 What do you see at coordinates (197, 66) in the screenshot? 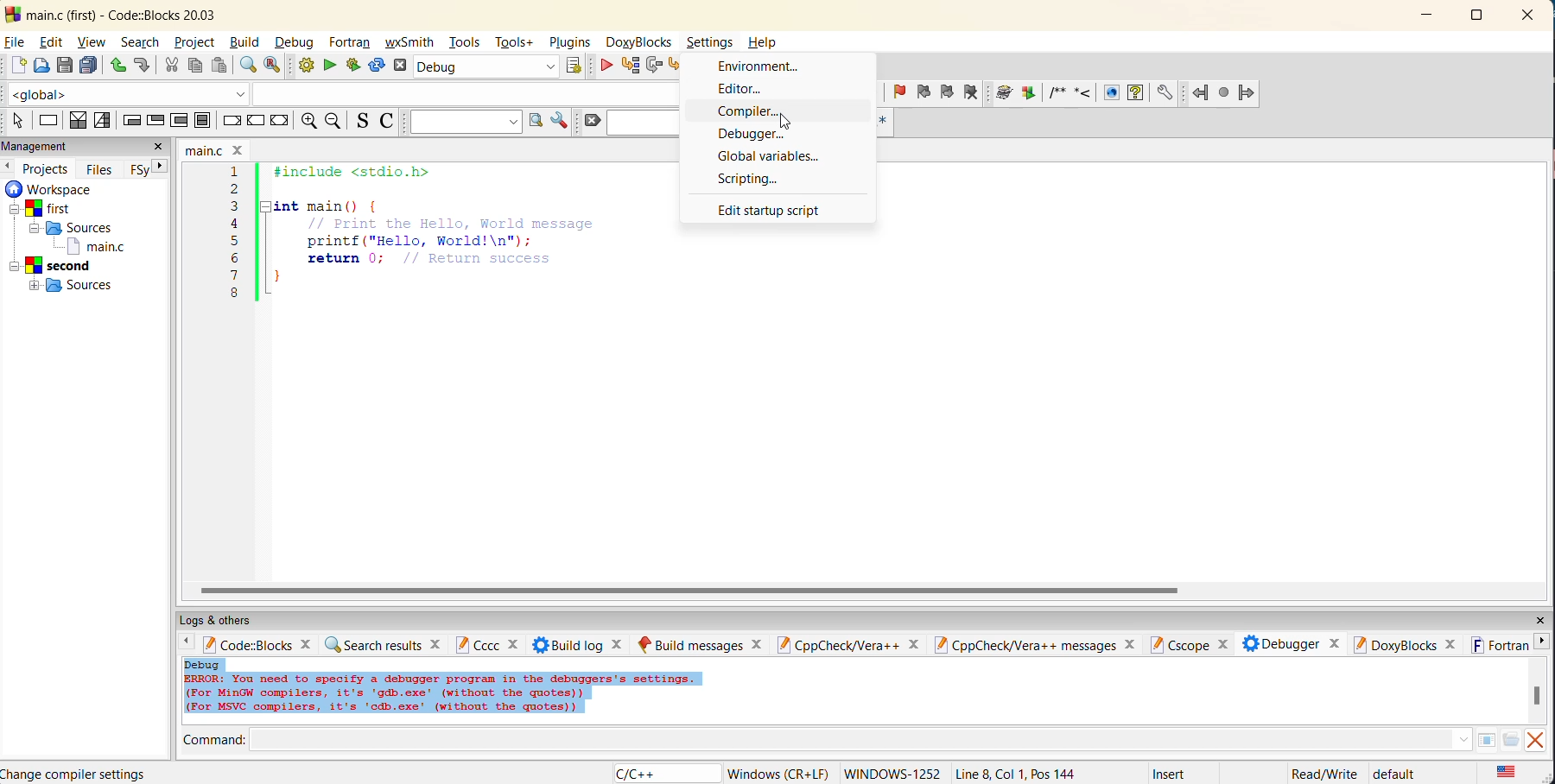
I see `copy` at bounding box center [197, 66].